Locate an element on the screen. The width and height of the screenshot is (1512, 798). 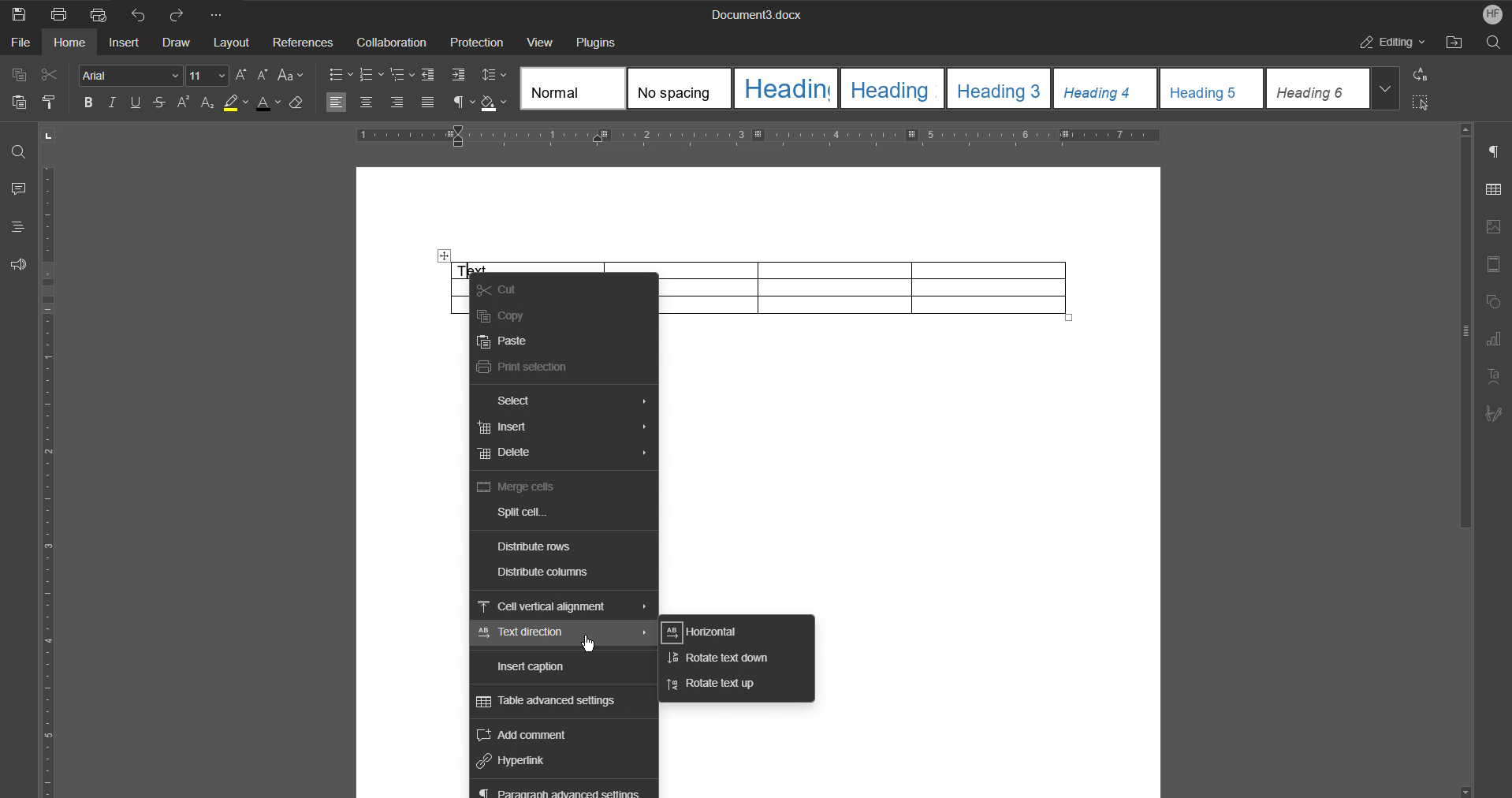
No spacing is located at coordinates (680, 89).